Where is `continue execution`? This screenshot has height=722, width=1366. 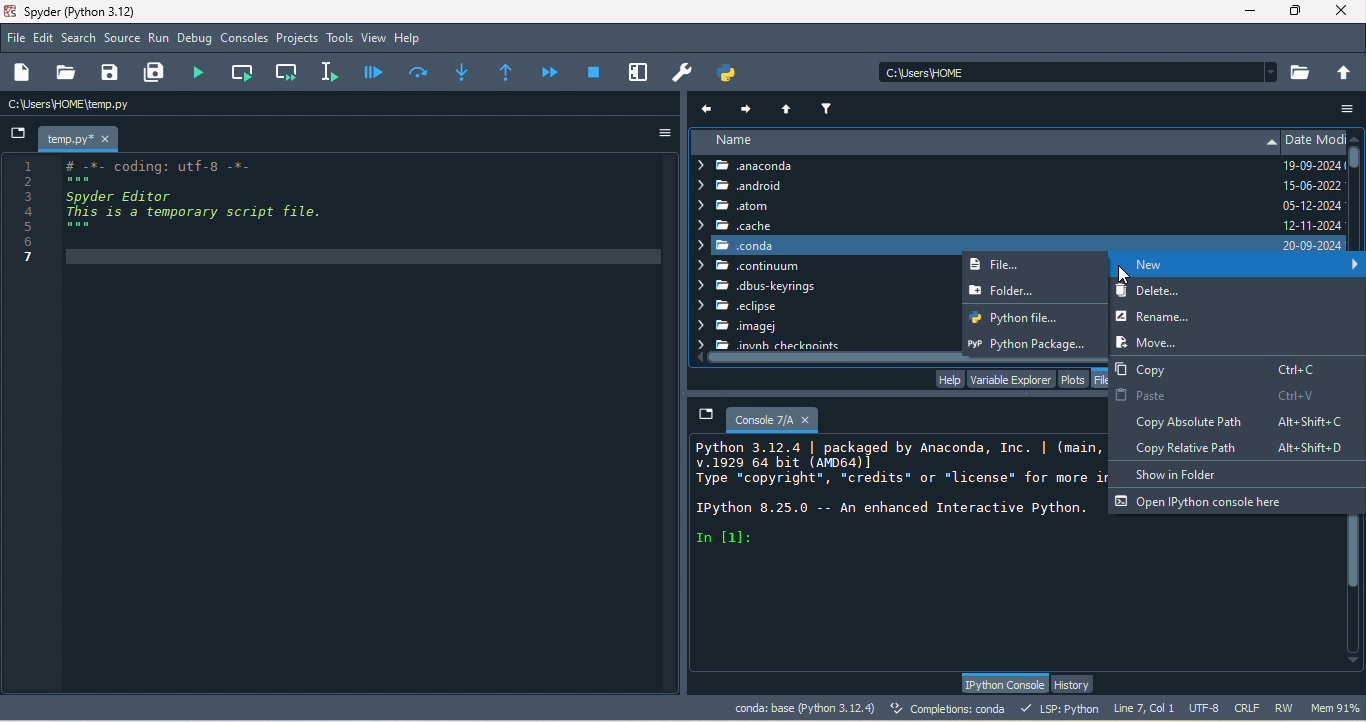
continue execution is located at coordinates (552, 72).